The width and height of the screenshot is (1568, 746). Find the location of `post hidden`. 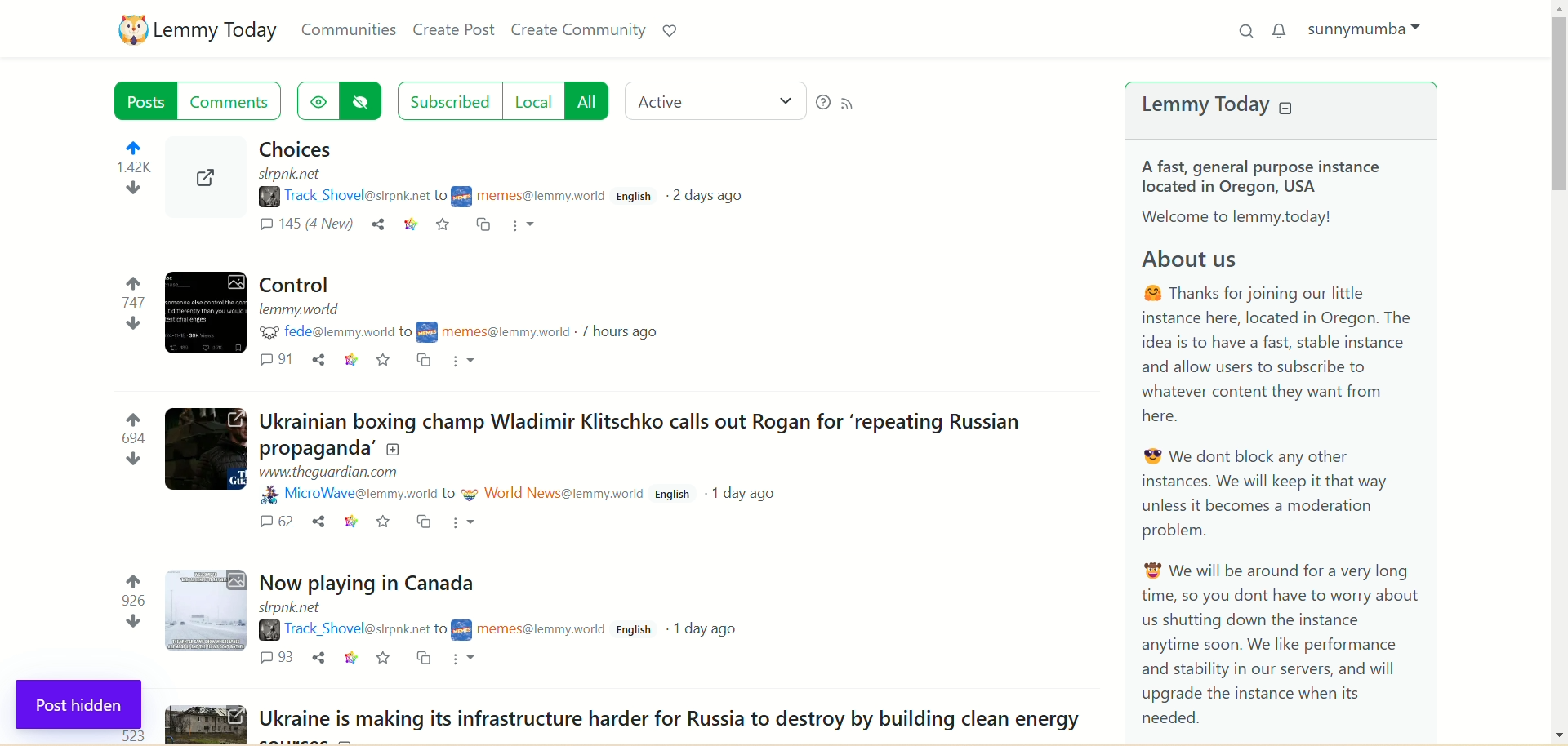

post hidden is located at coordinates (80, 705).